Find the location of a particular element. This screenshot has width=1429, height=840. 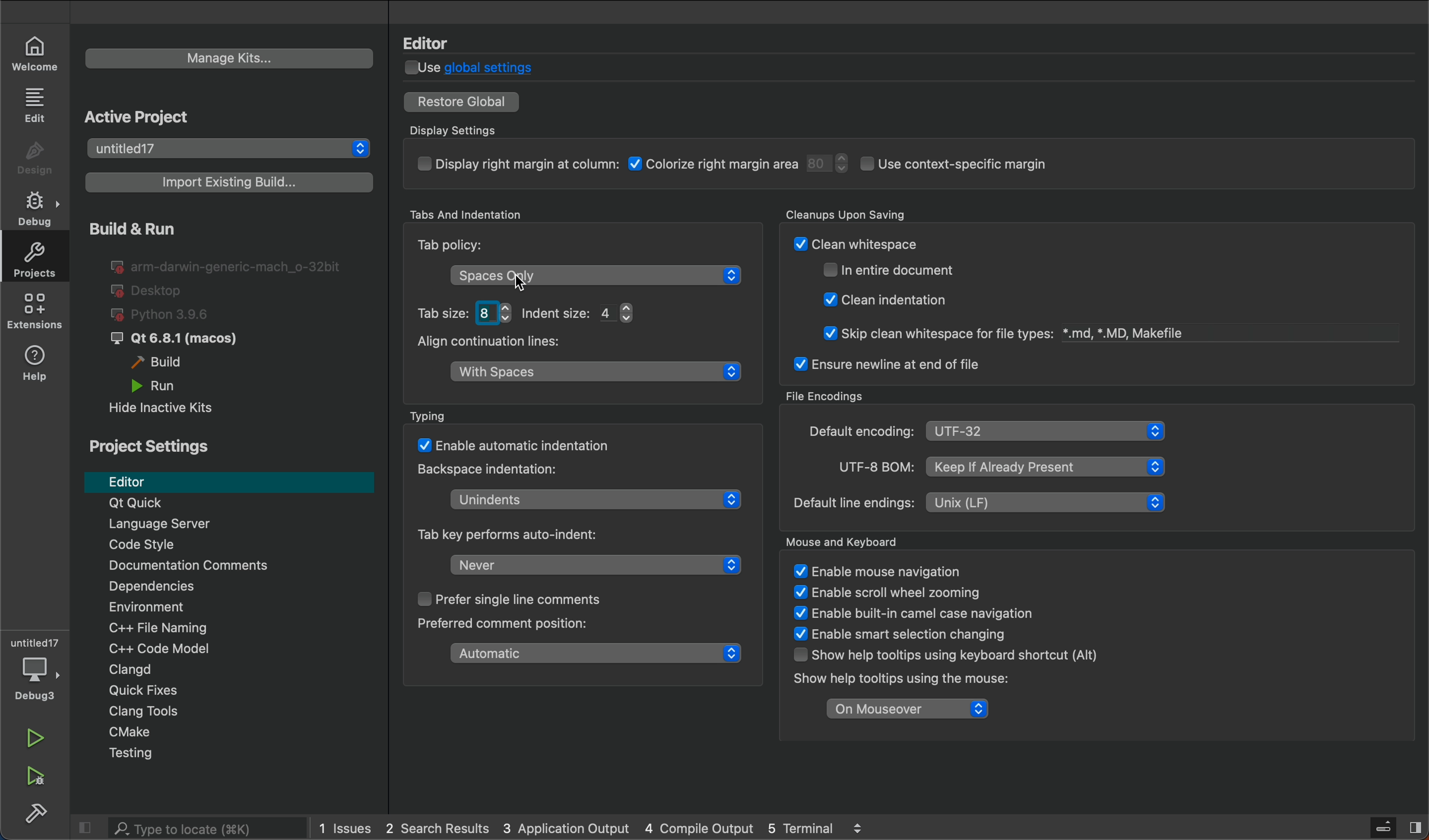

automatic is located at coordinates (589, 656).